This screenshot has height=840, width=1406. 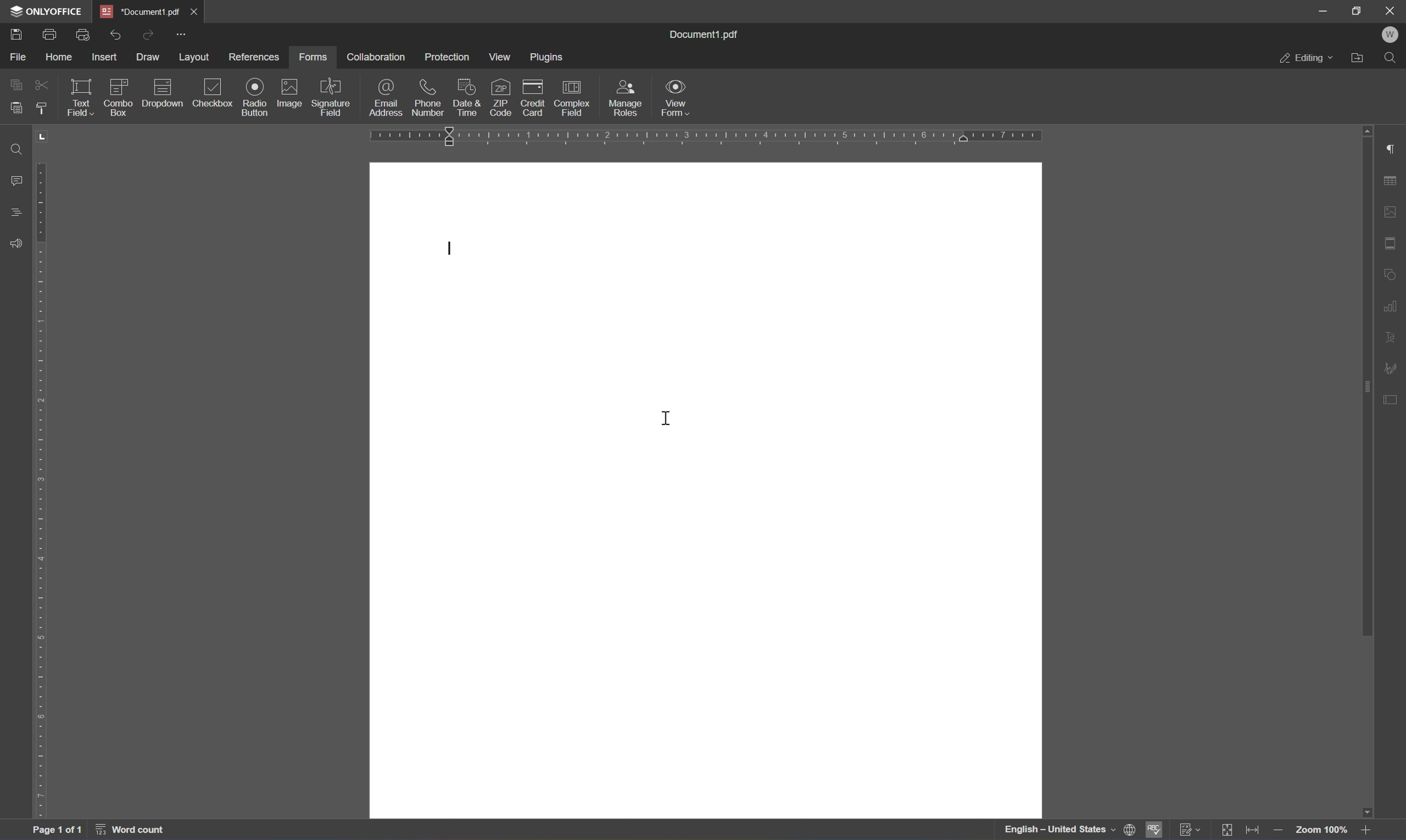 I want to click on forms, so click(x=314, y=57).